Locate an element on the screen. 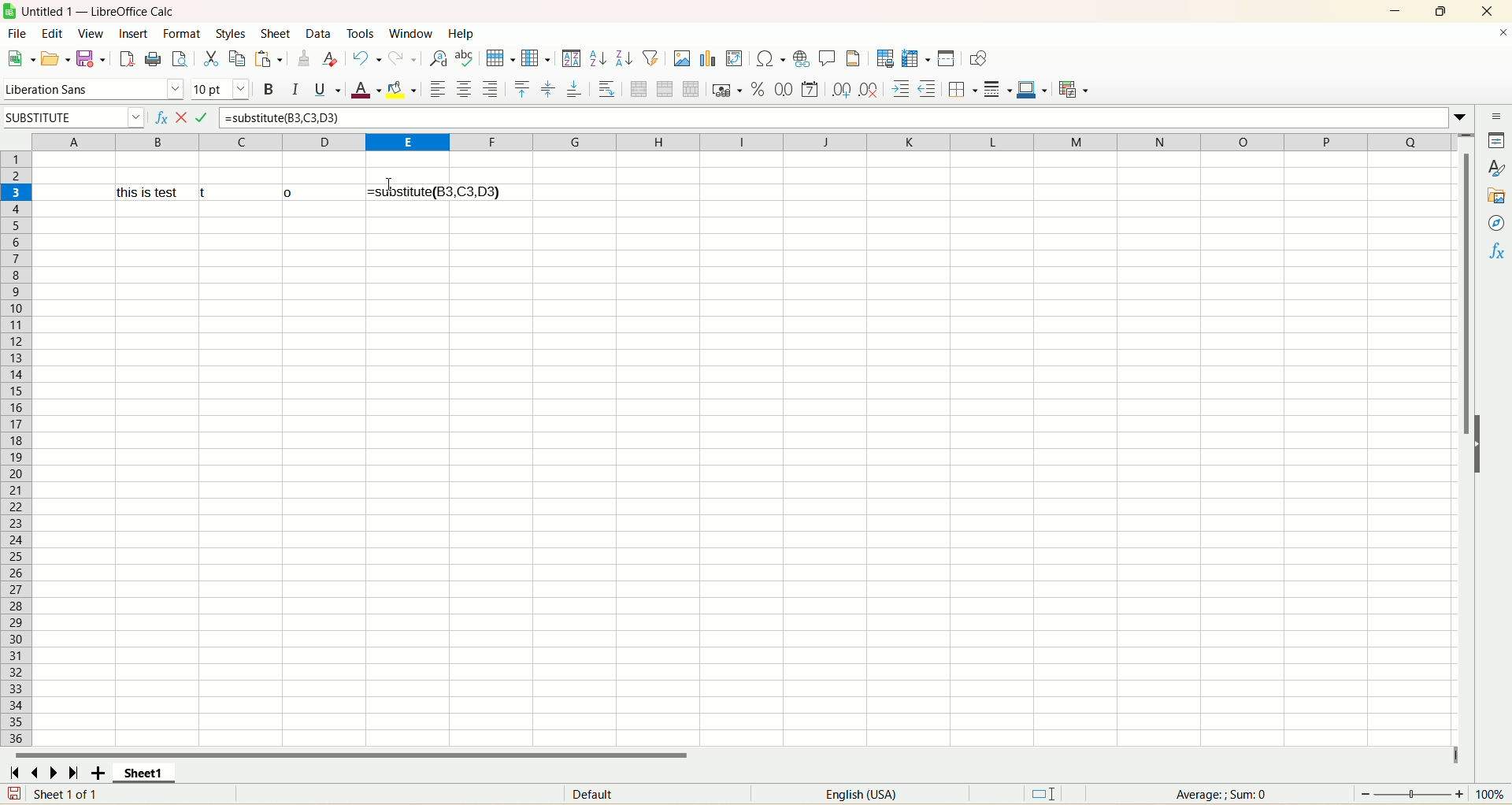 This screenshot has width=1512, height=805. sheet is located at coordinates (738, 478).